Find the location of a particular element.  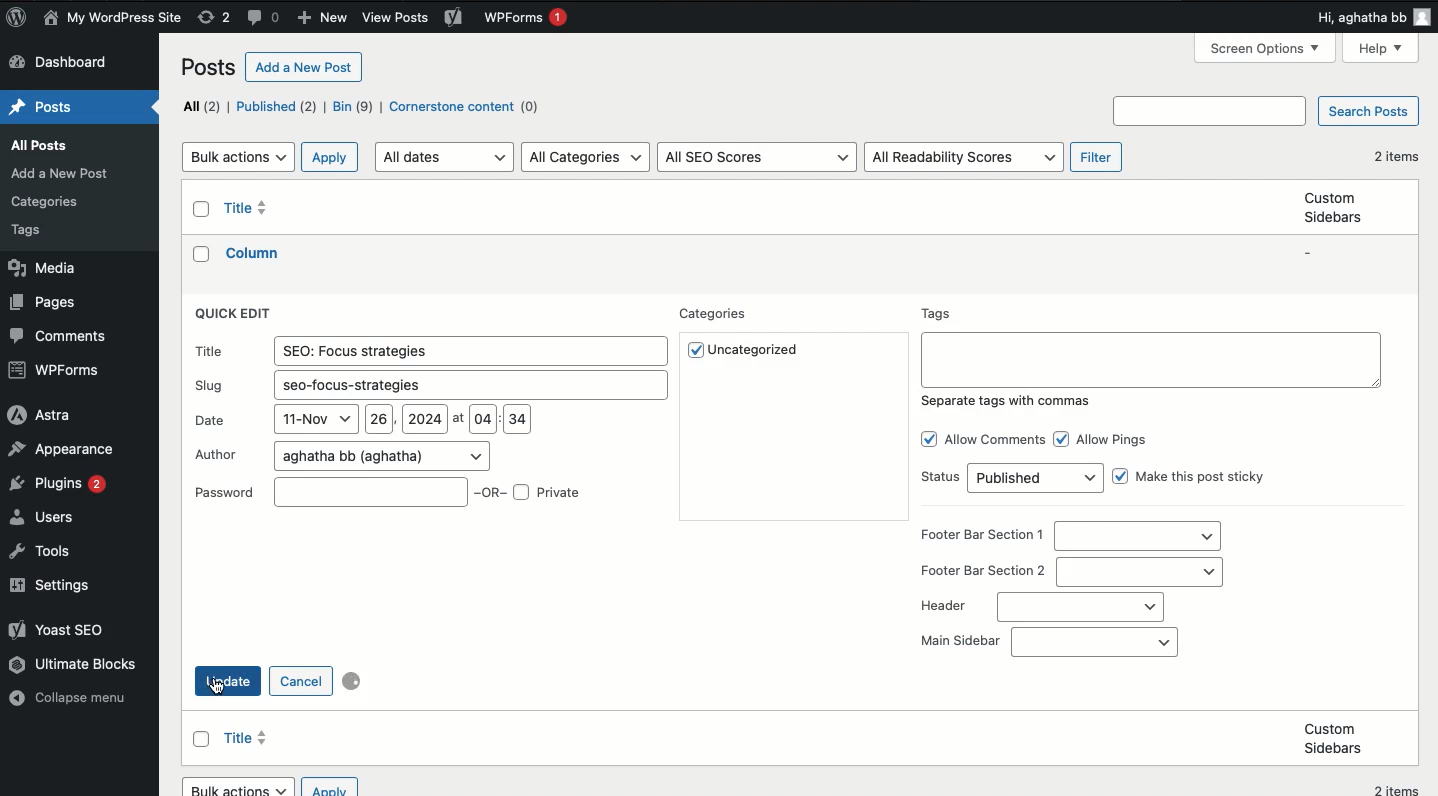

Yoast SEO is located at coordinates (56, 628).